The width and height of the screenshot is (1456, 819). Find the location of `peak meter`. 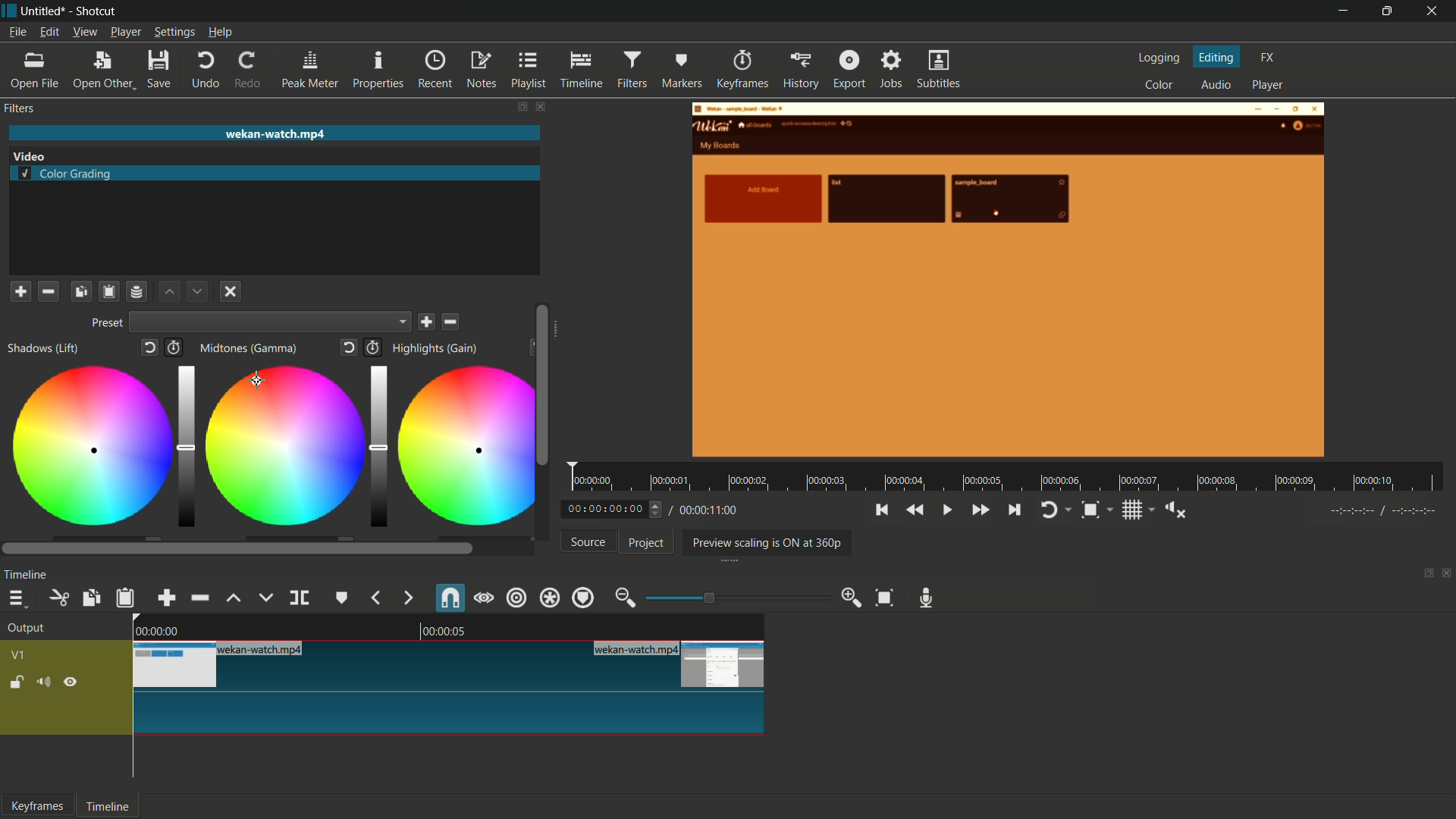

peak meter is located at coordinates (312, 70).